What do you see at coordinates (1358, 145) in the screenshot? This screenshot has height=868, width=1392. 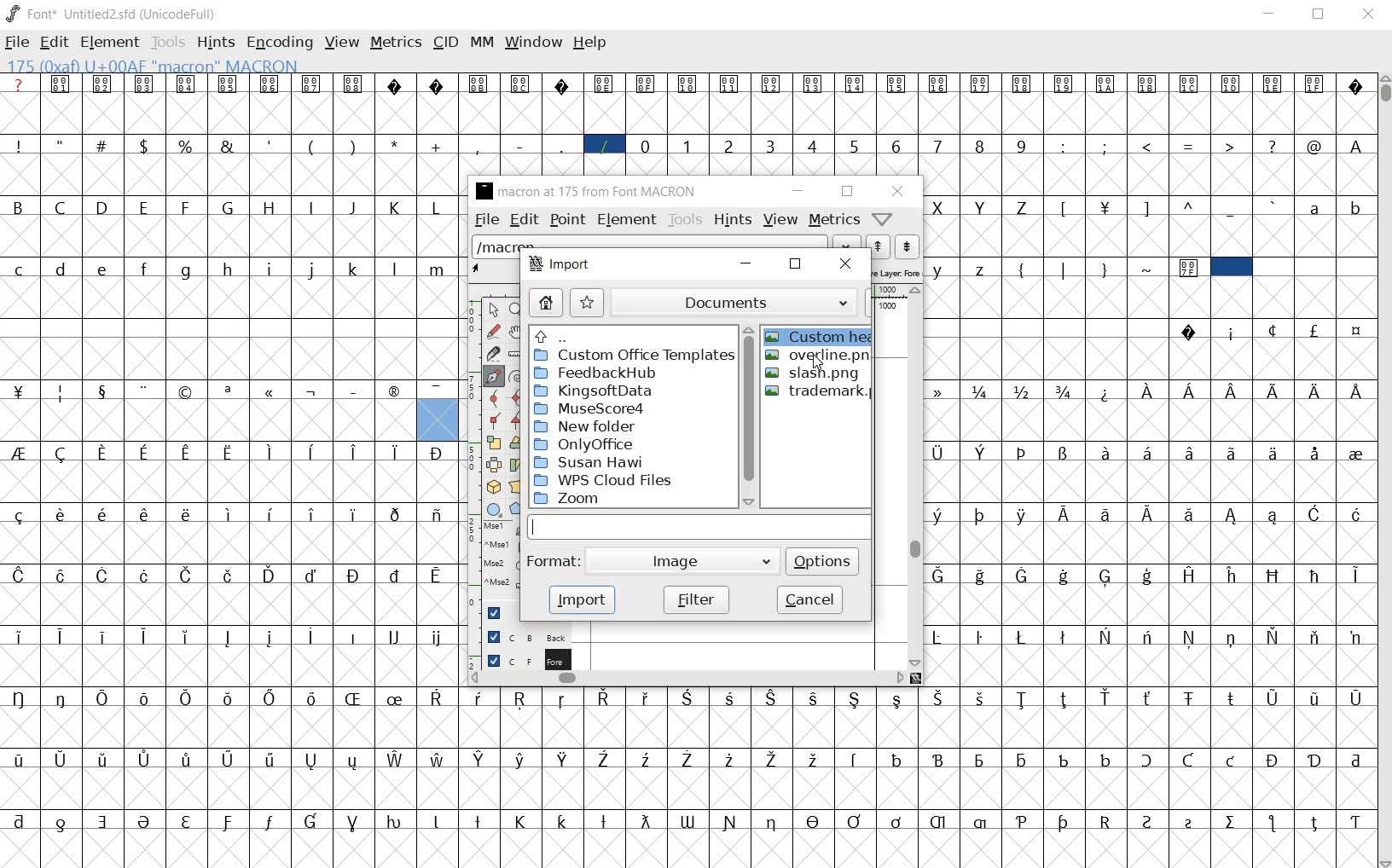 I see `A` at bounding box center [1358, 145].